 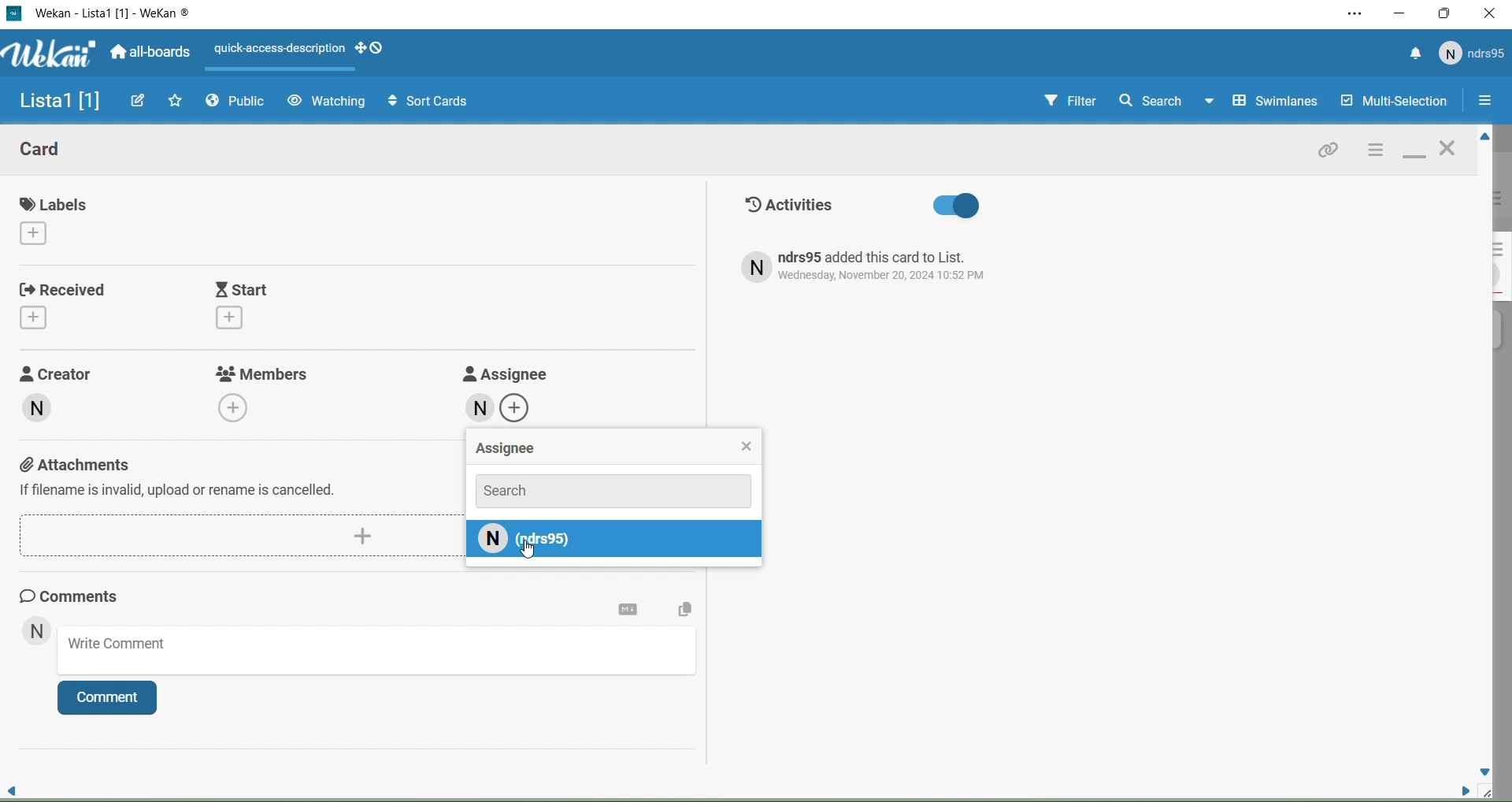 I want to click on Write Comment, so click(x=381, y=653).